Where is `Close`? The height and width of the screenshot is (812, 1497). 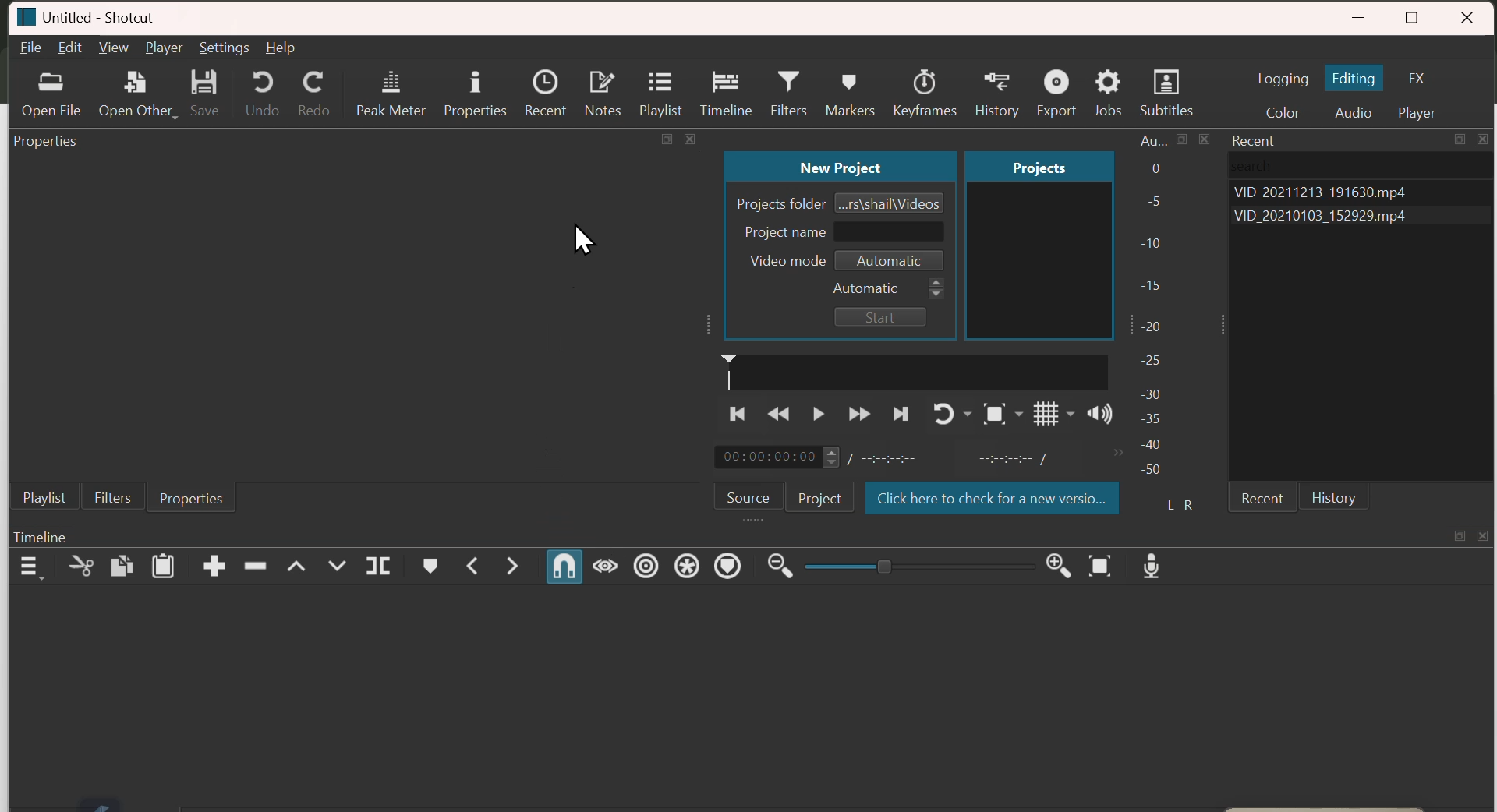 Close is located at coordinates (1483, 139).